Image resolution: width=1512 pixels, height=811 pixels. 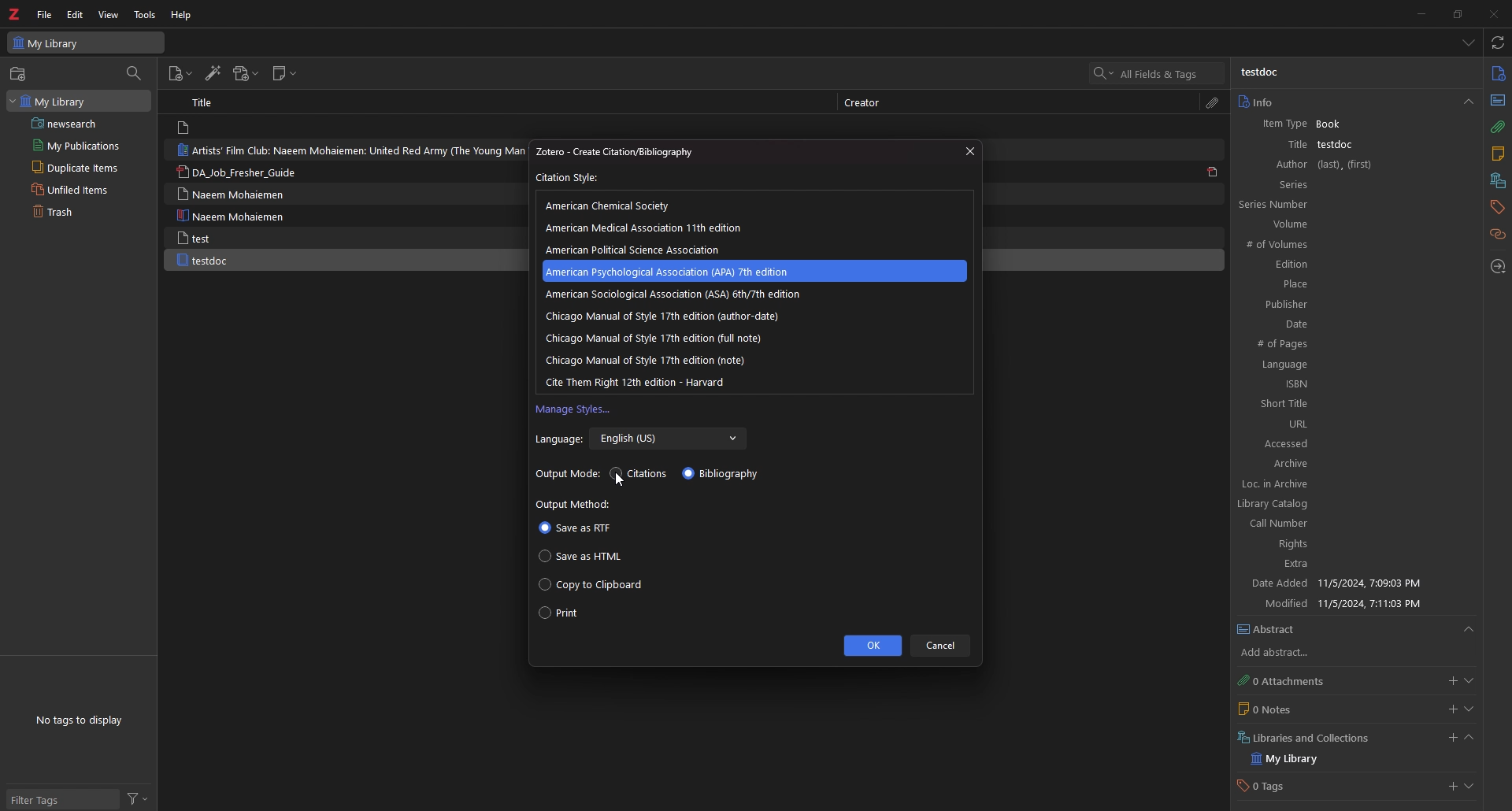 What do you see at coordinates (868, 103) in the screenshot?
I see `Creator` at bounding box center [868, 103].